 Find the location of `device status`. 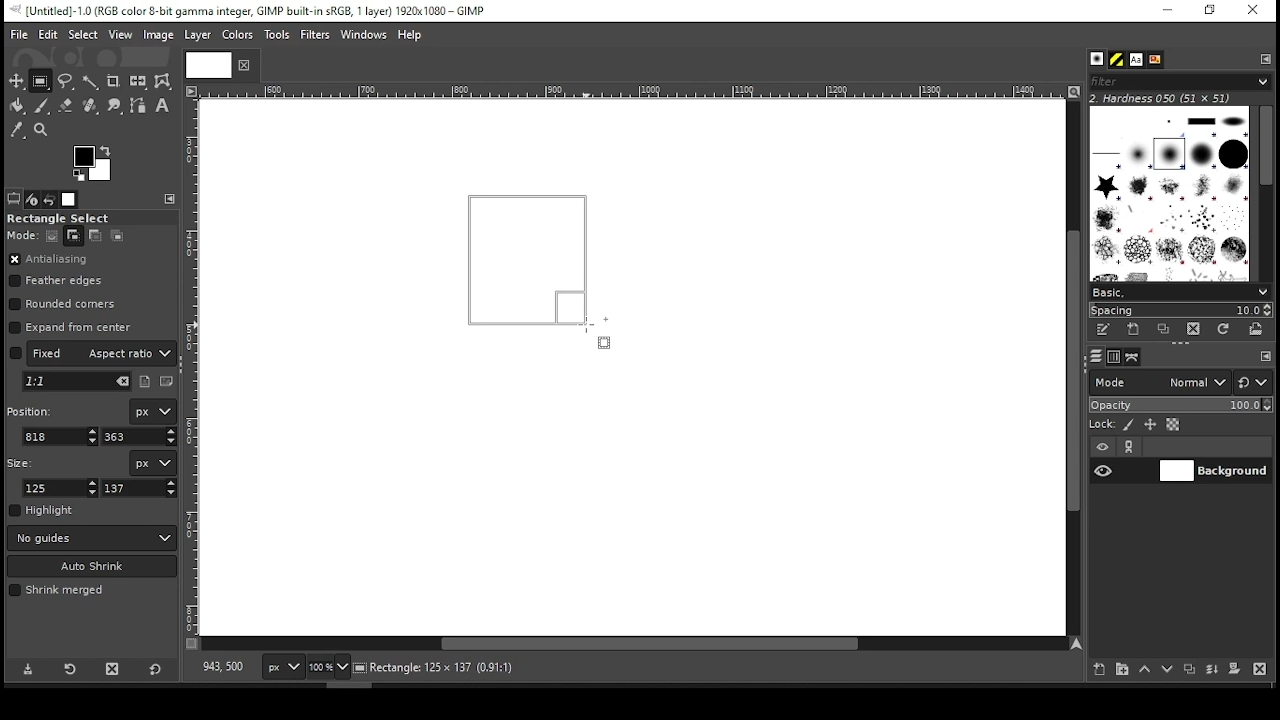

device status is located at coordinates (32, 199).